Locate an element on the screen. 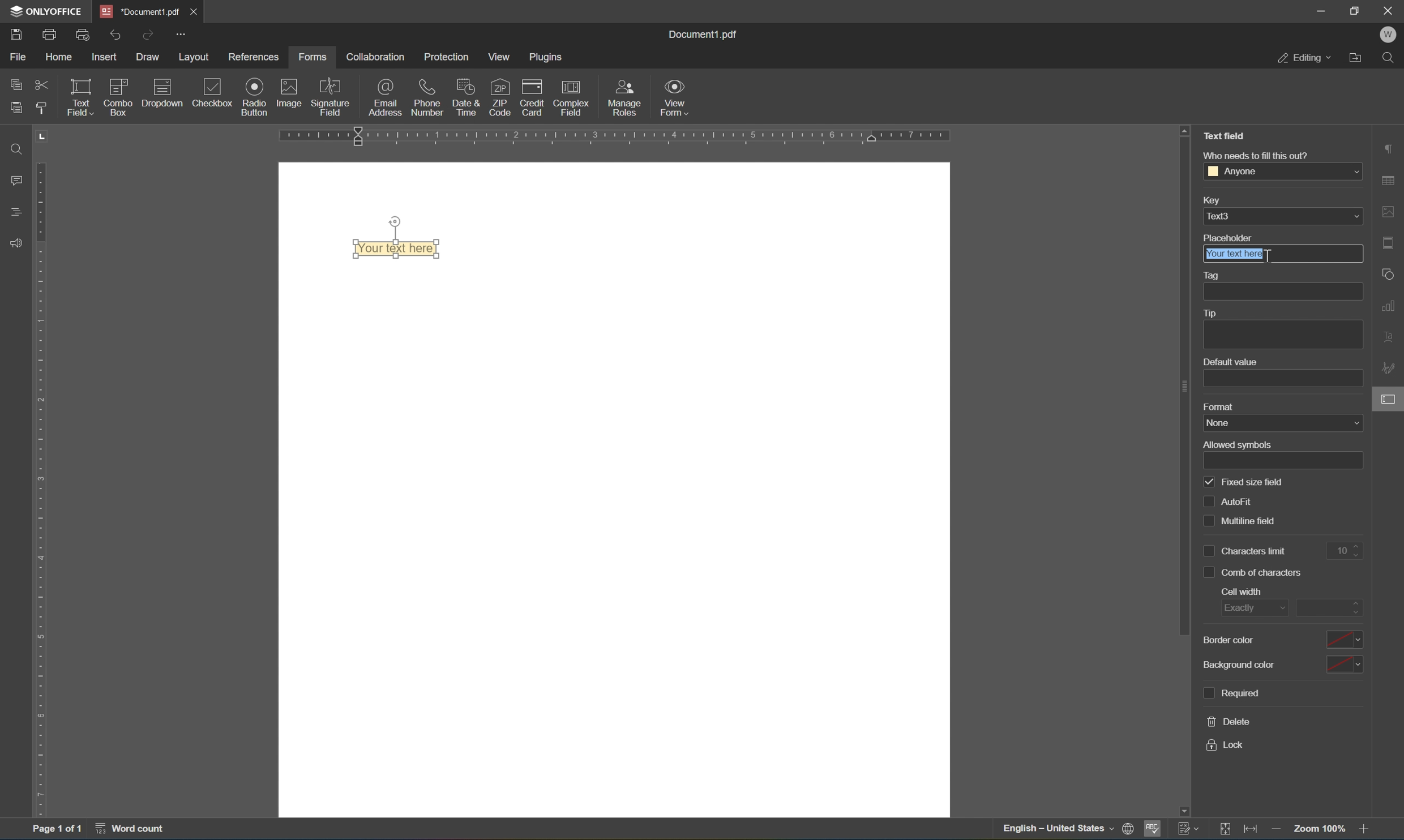 This screenshot has height=840, width=1404. ——
English — United States is located at coordinates (1046, 831).